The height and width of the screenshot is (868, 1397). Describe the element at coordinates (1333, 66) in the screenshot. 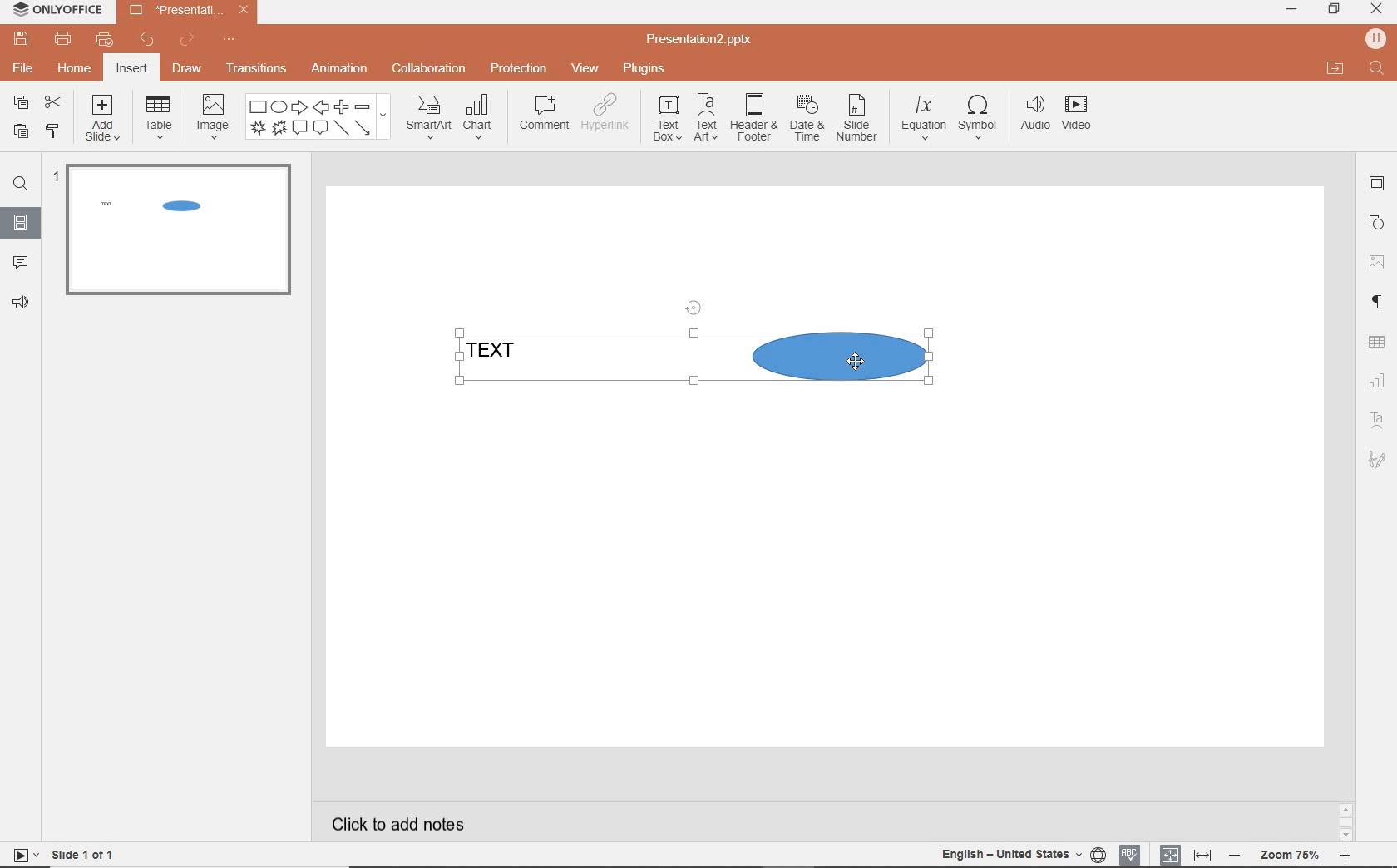

I see `OPEN FILE LOCATION` at that location.